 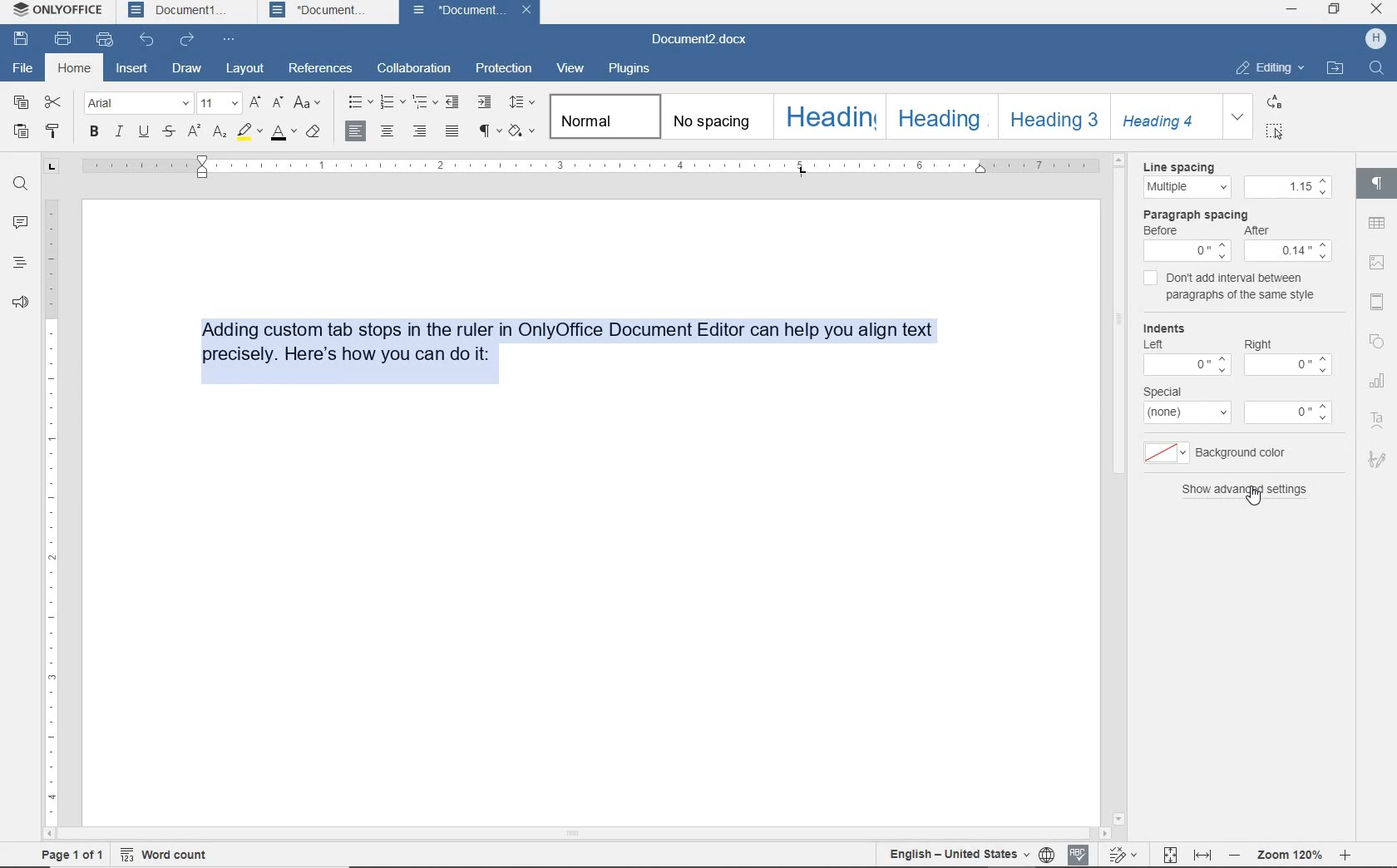 I want to click on menu, so click(x=1187, y=414).